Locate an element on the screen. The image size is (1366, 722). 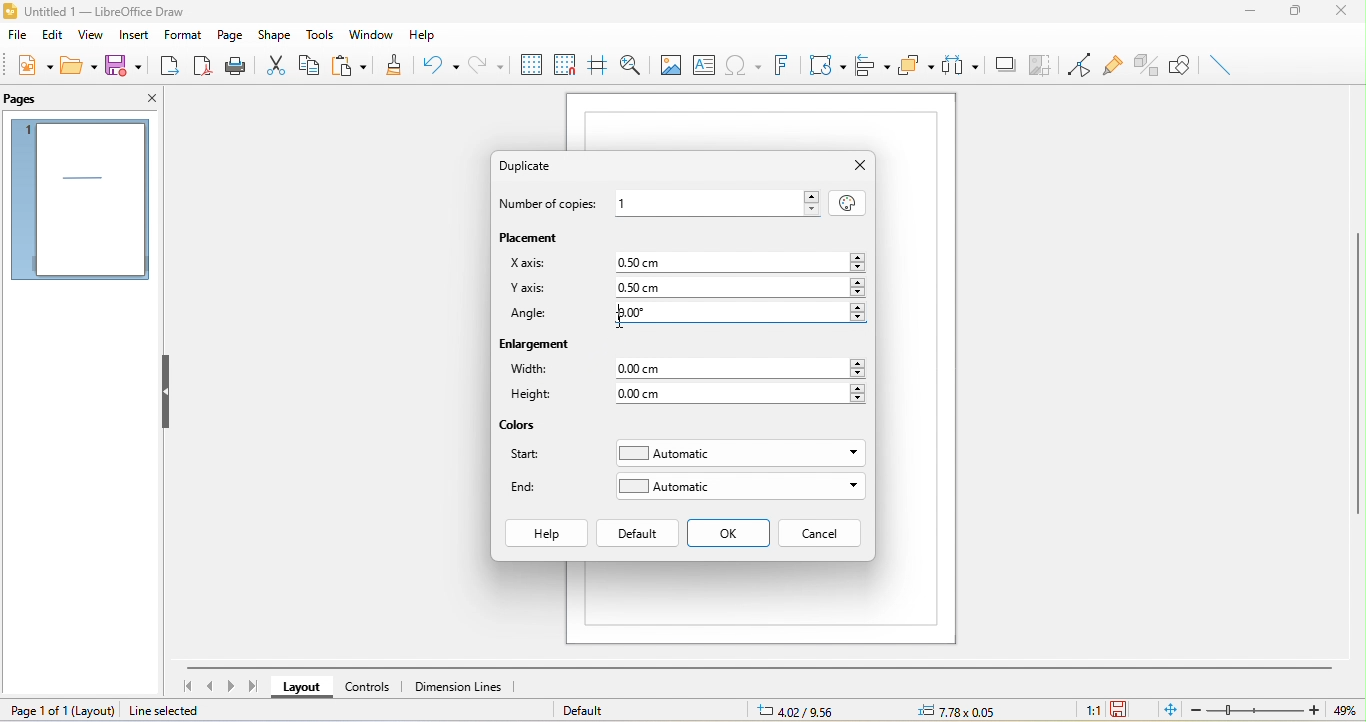
zoom is located at coordinates (1269, 710).